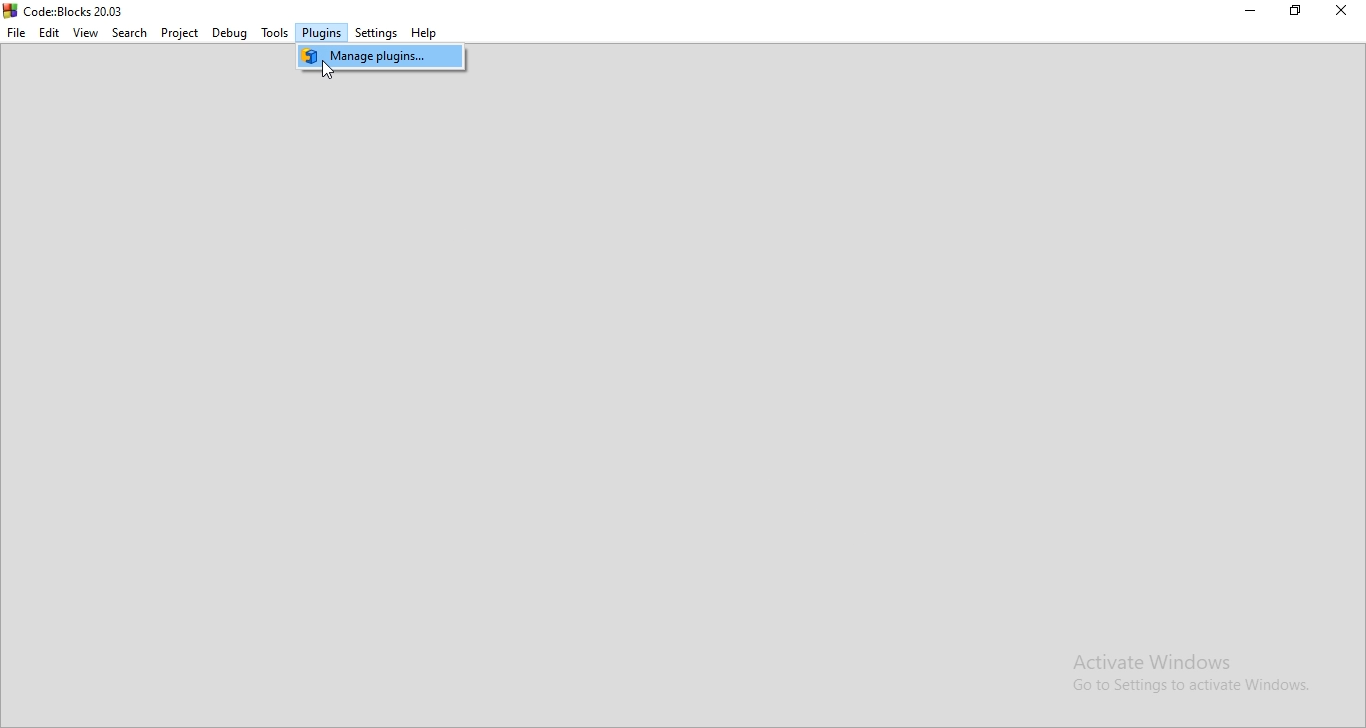 The height and width of the screenshot is (728, 1366). What do you see at coordinates (49, 33) in the screenshot?
I see `Edit` at bounding box center [49, 33].